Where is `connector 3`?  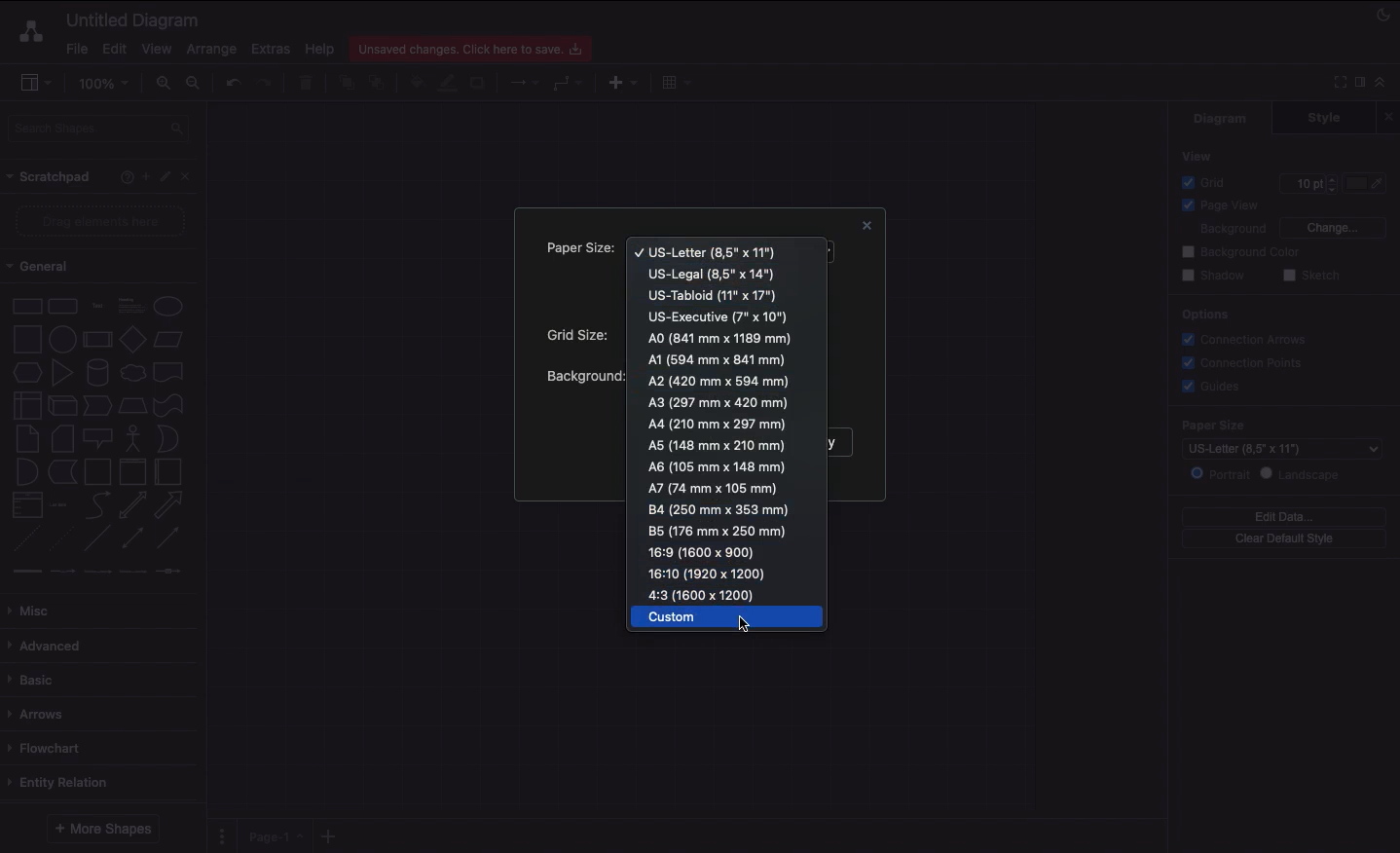 connector 3 is located at coordinates (95, 571).